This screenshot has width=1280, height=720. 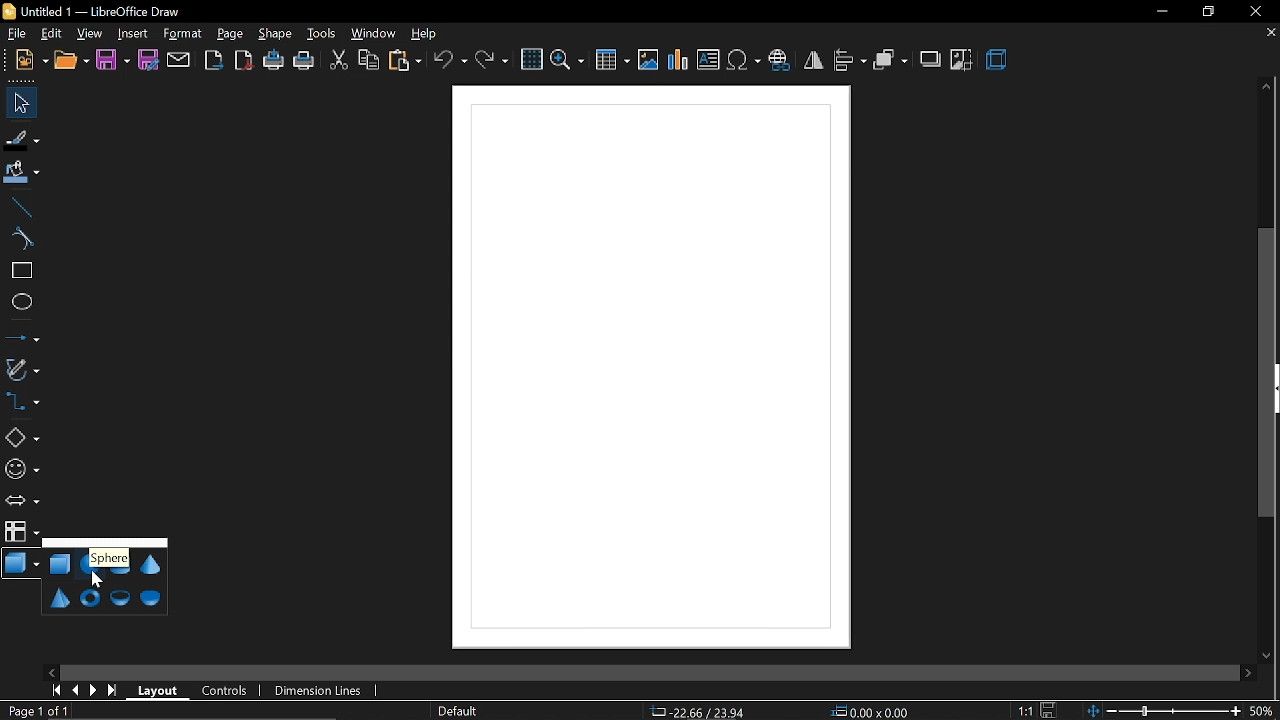 What do you see at coordinates (22, 141) in the screenshot?
I see `fill line` at bounding box center [22, 141].